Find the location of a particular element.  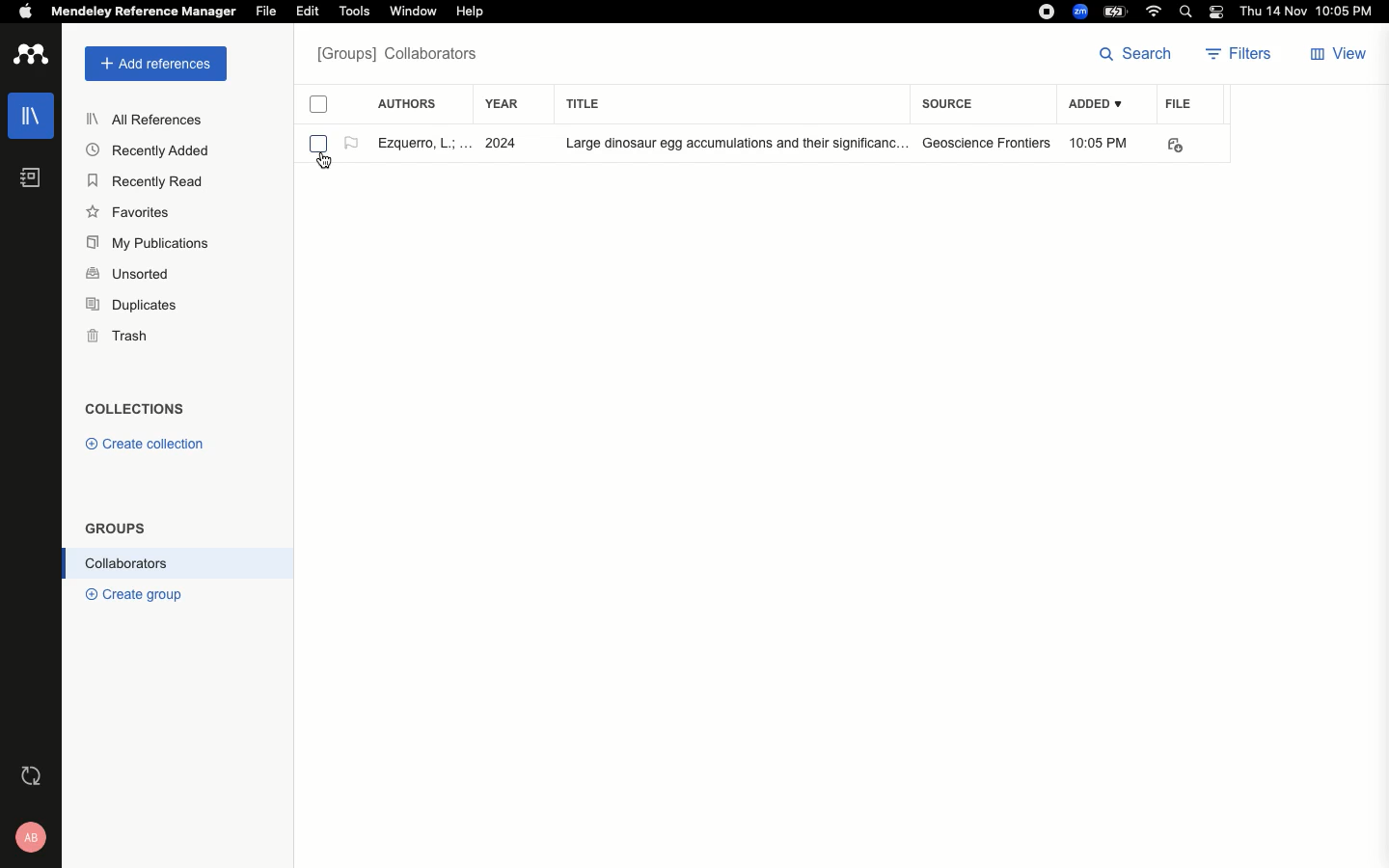

Create group is located at coordinates (150, 596).